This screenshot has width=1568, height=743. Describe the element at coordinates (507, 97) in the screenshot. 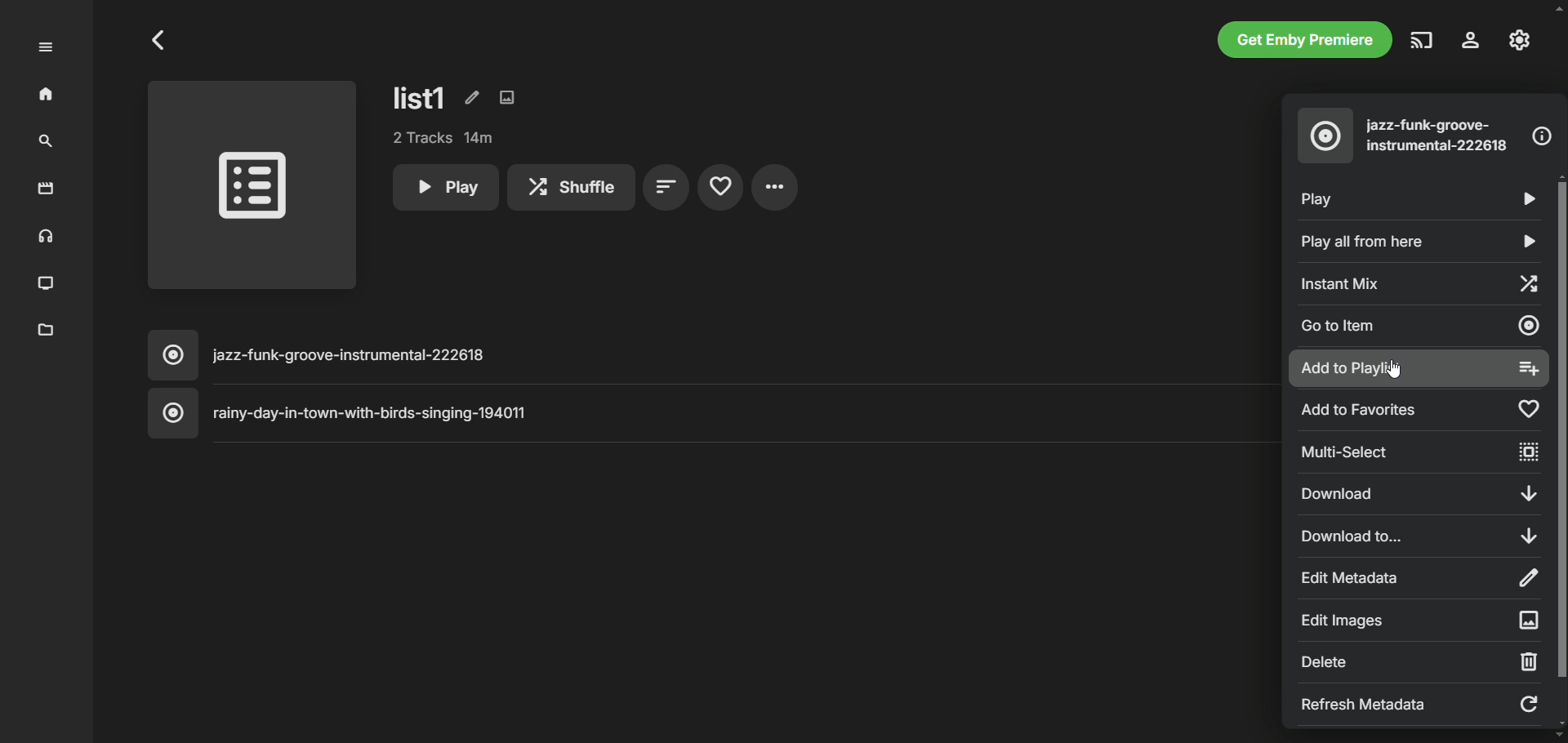

I see `edit images` at that location.